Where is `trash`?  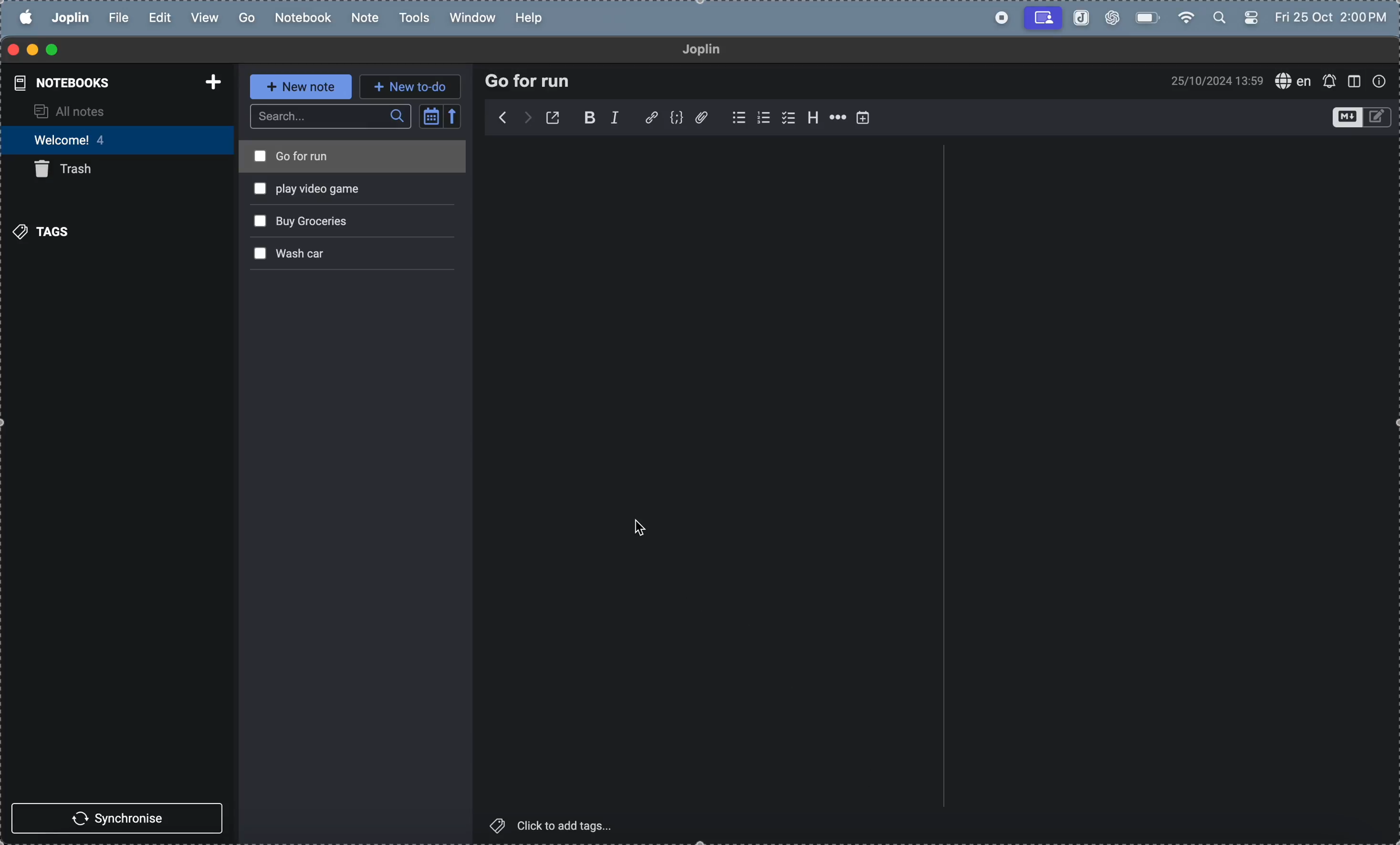
trash is located at coordinates (71, 171).